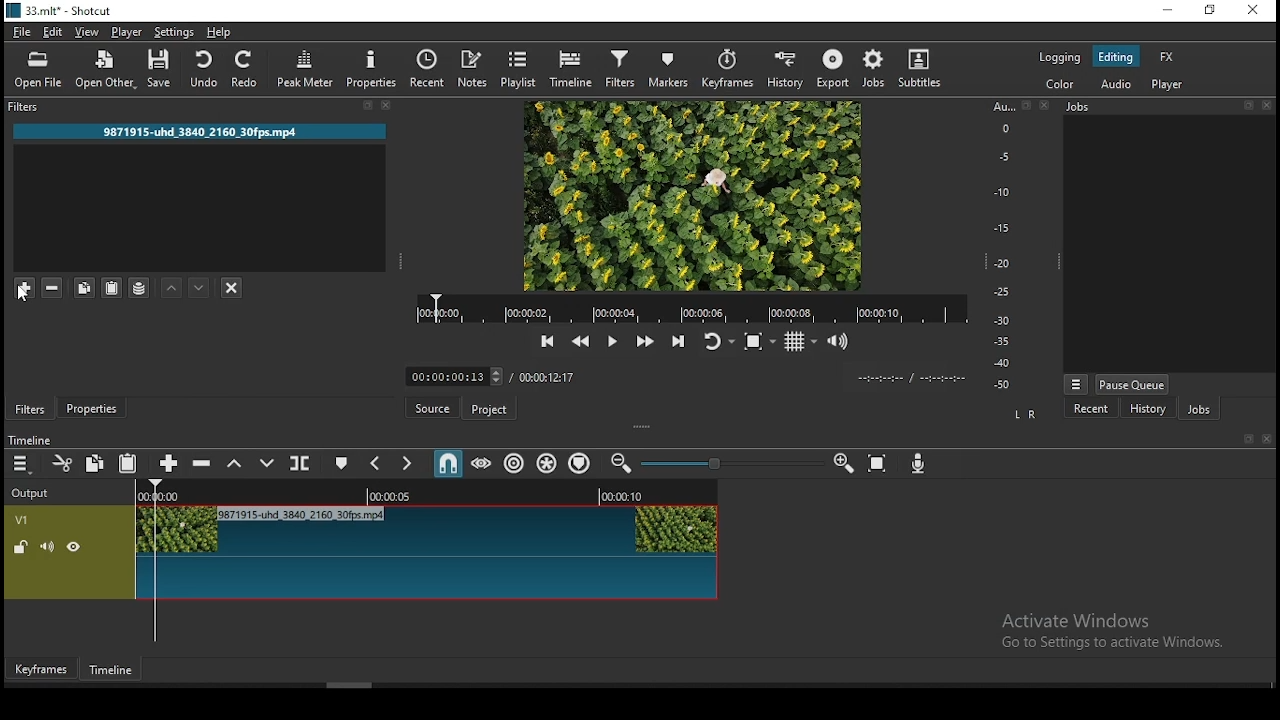  I want to click on play quickly forwards, so click(646, 340).